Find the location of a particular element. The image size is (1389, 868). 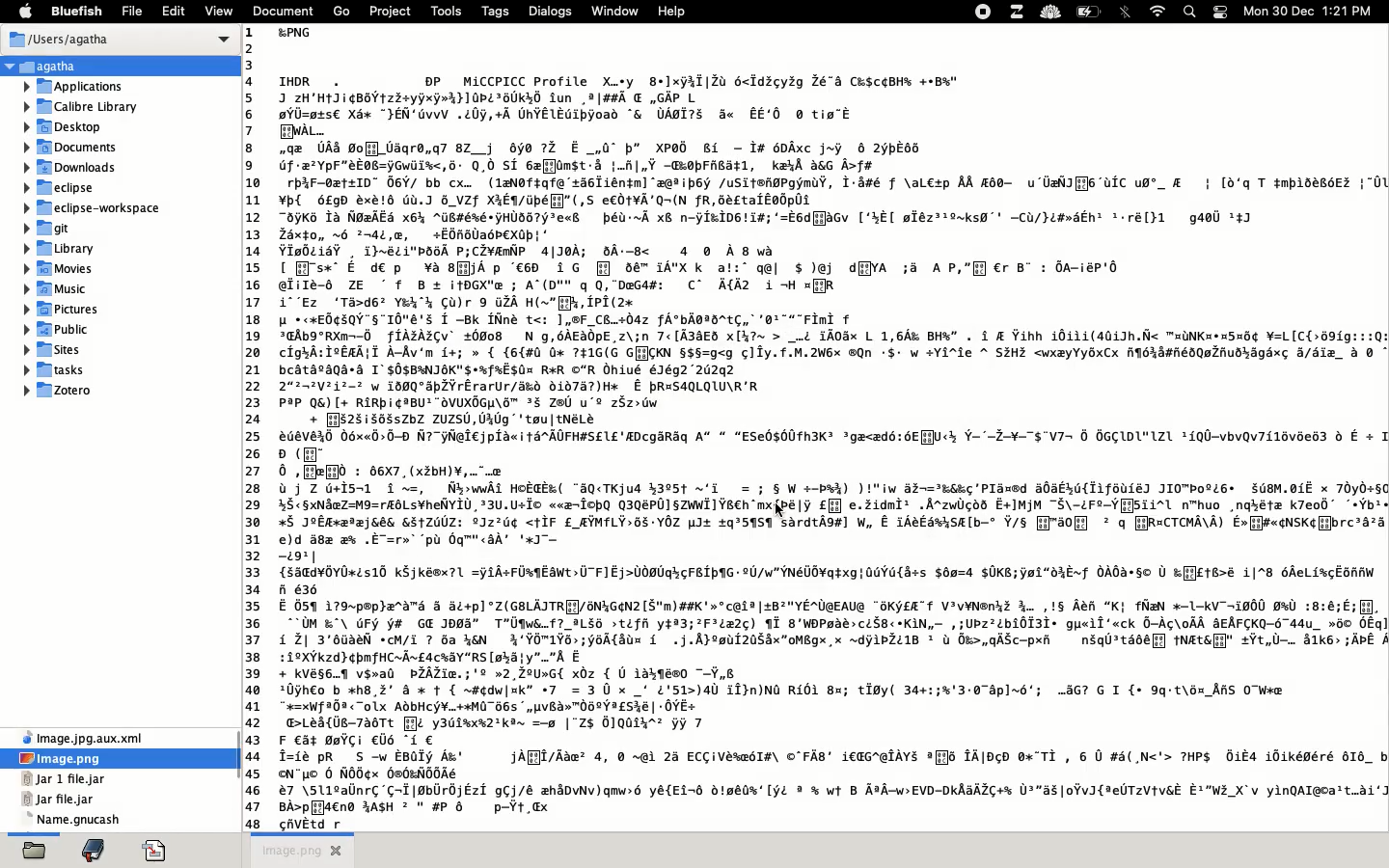

bluefish is located at coordinates (76, 12).